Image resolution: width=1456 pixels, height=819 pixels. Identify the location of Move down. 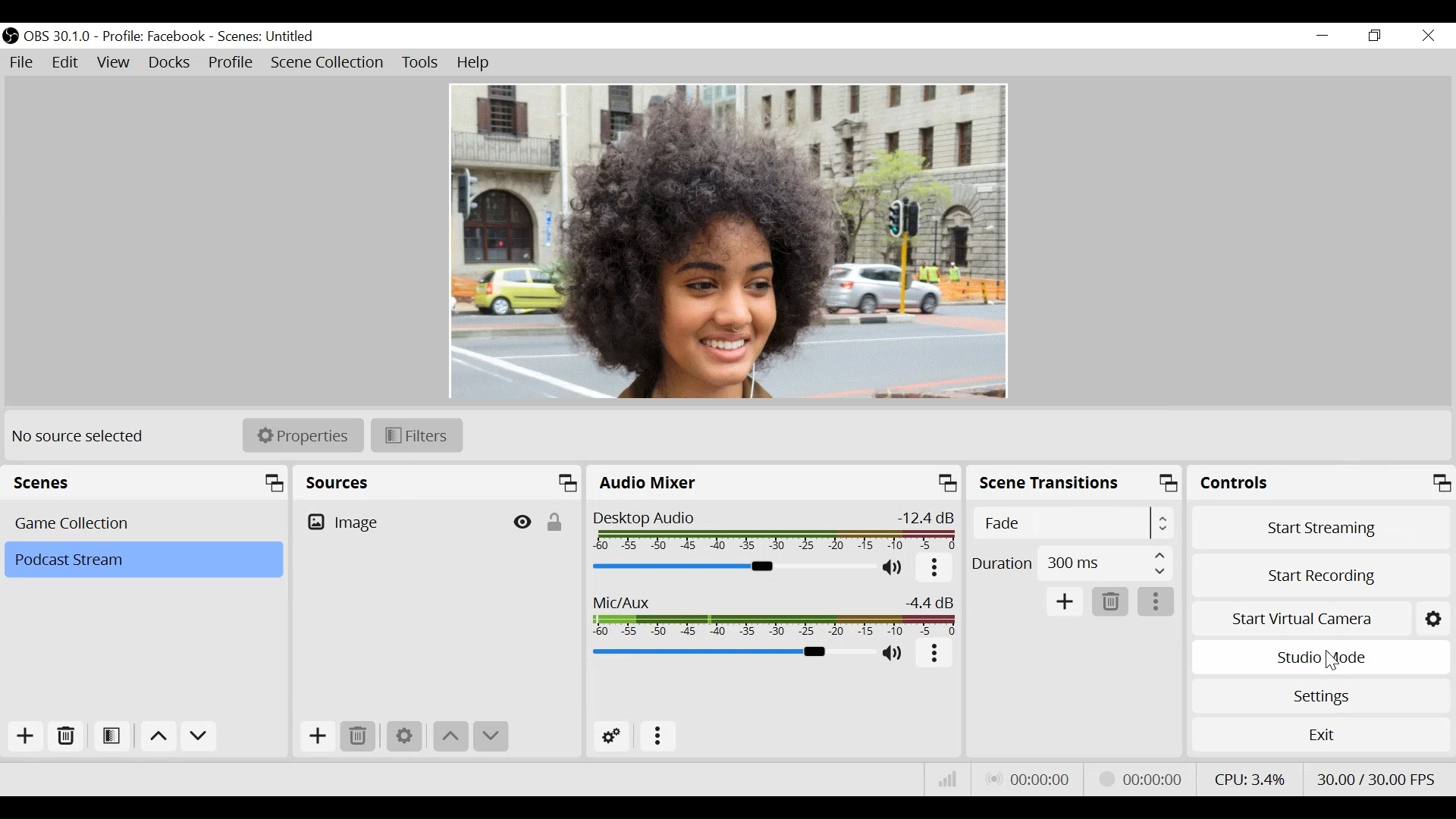
(202, 736).